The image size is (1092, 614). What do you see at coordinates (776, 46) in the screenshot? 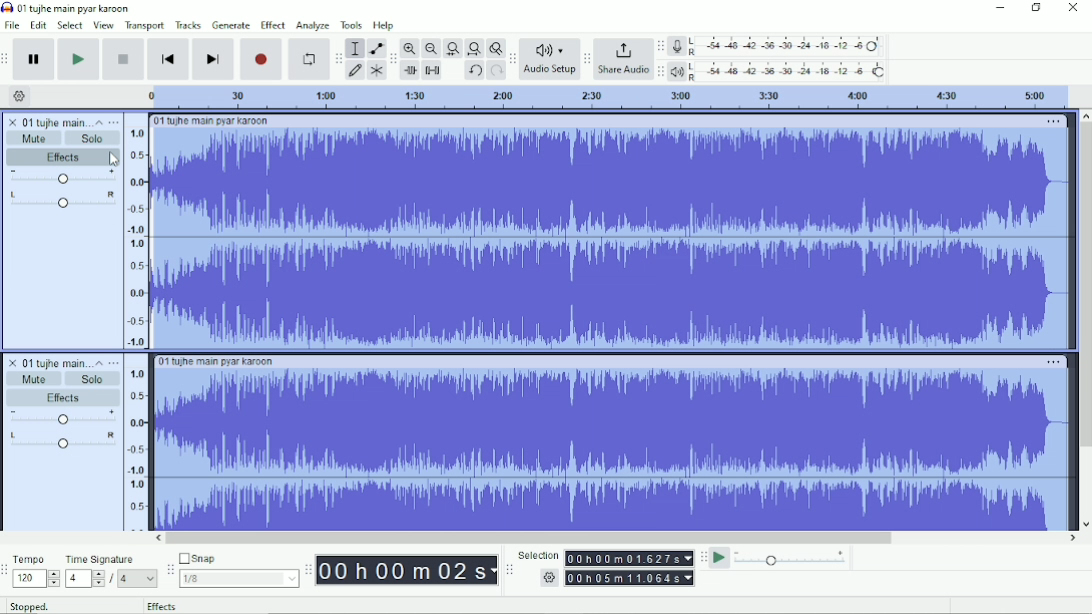
I see `Record meter` at bounding box center [776, 46].